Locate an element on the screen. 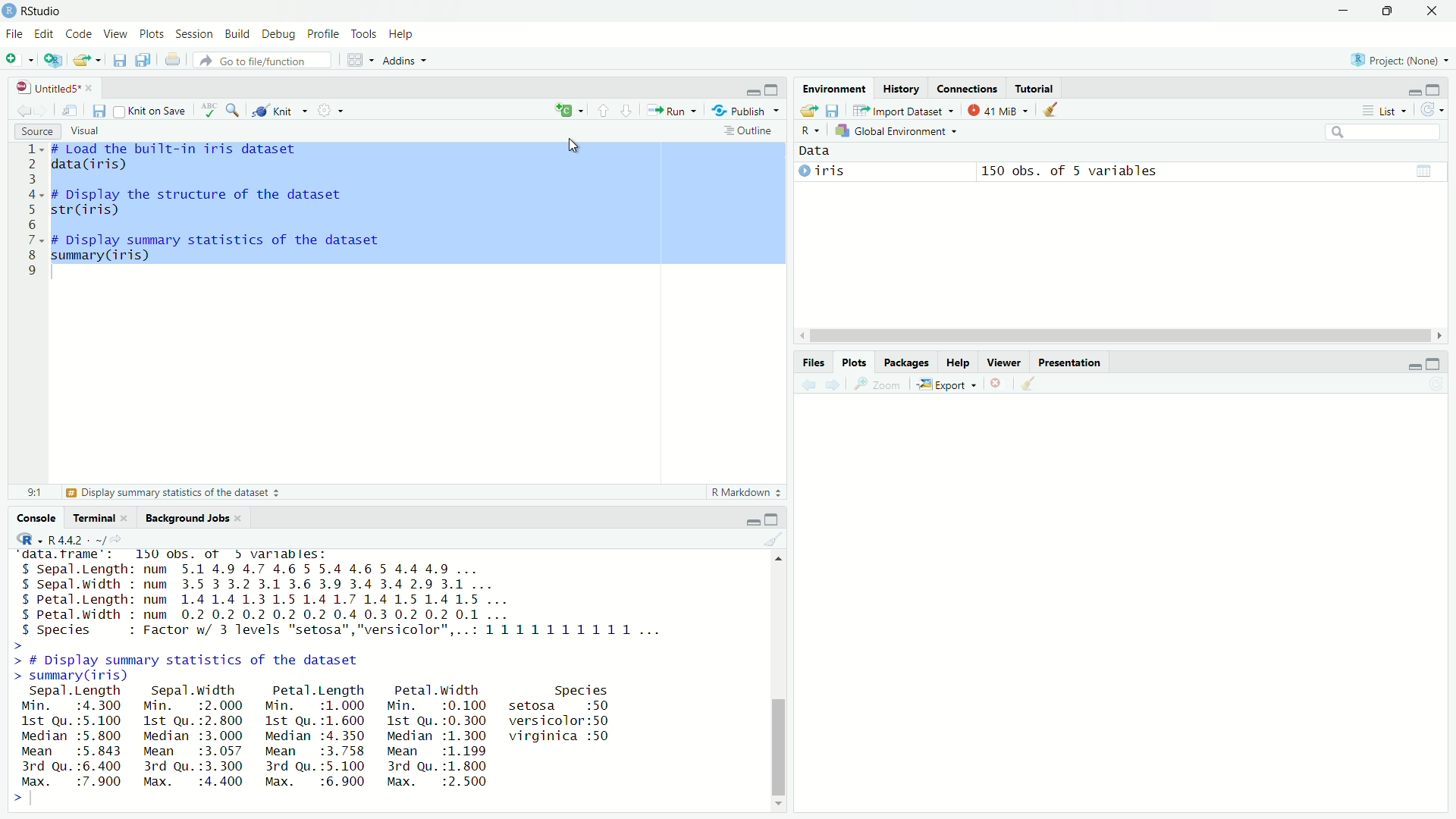 This screenshot has height=819, width=1456. Profile is located at coordinates (325, 33).